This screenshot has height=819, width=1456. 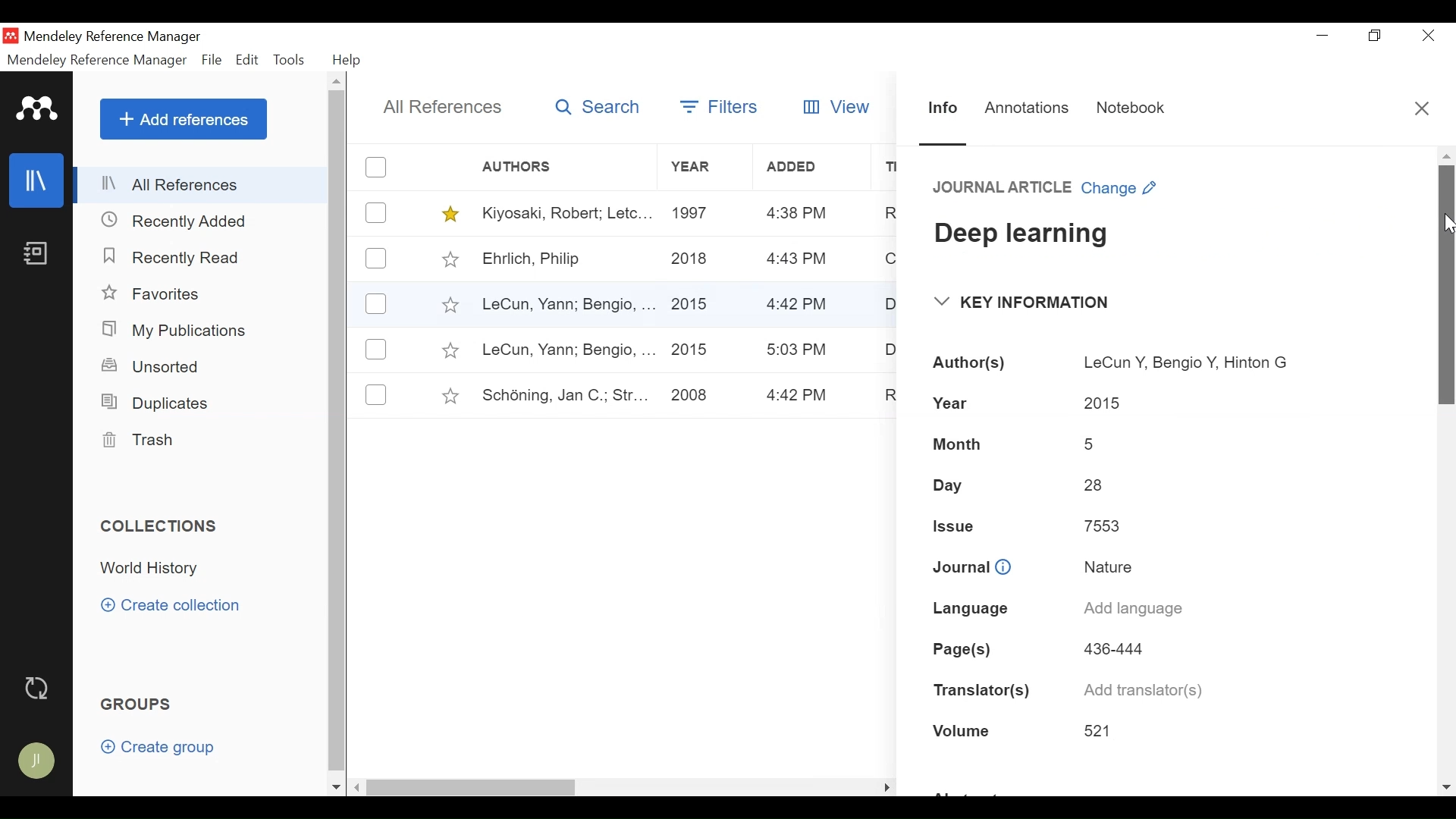 What do you see at coordinates (529, 168) in the screenshot?
I see `Authors` at bounding box center [529, 168].